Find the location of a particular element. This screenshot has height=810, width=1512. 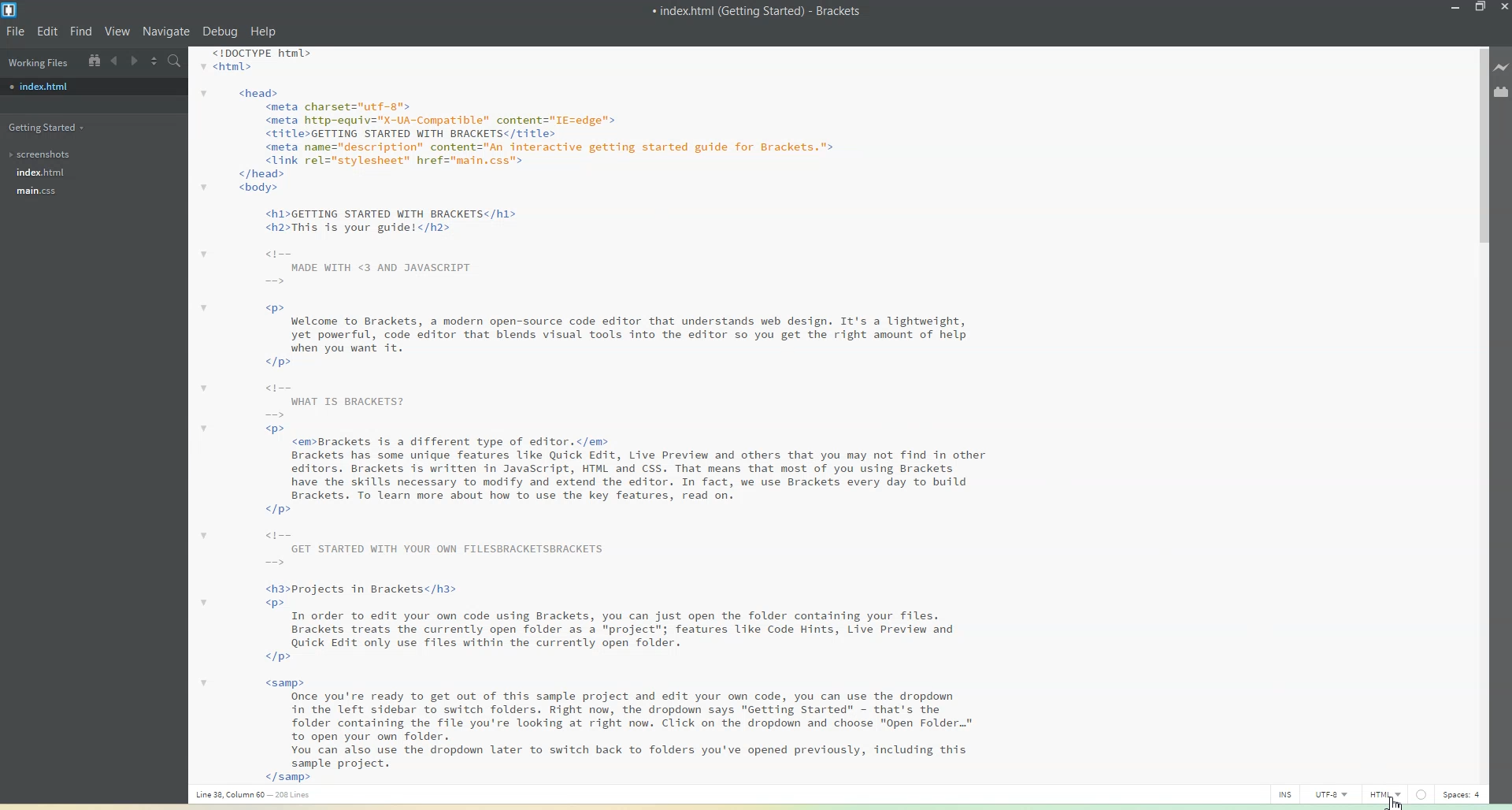

INS is located at coordinates (1285, 793).